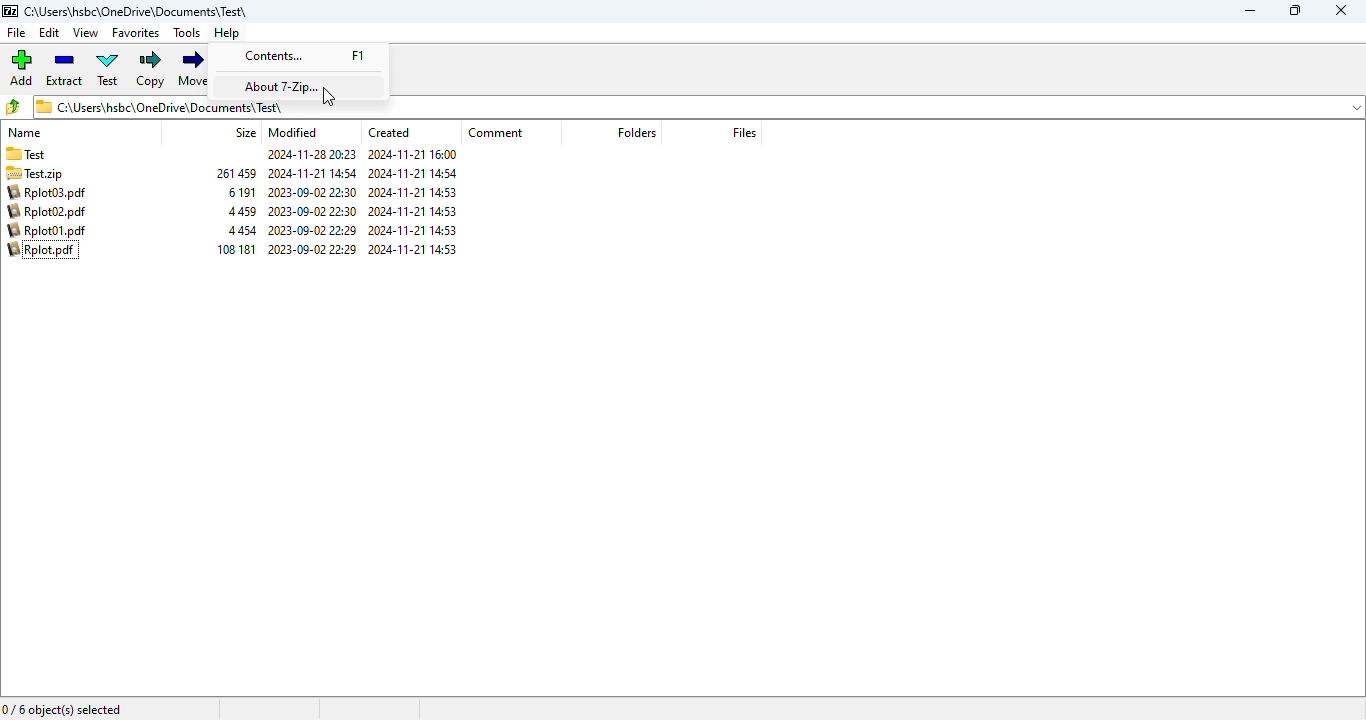  What do you see at coordinates (1251, 10) in the screenshot?
I see `minimize` at bounding box center [1251, 10].